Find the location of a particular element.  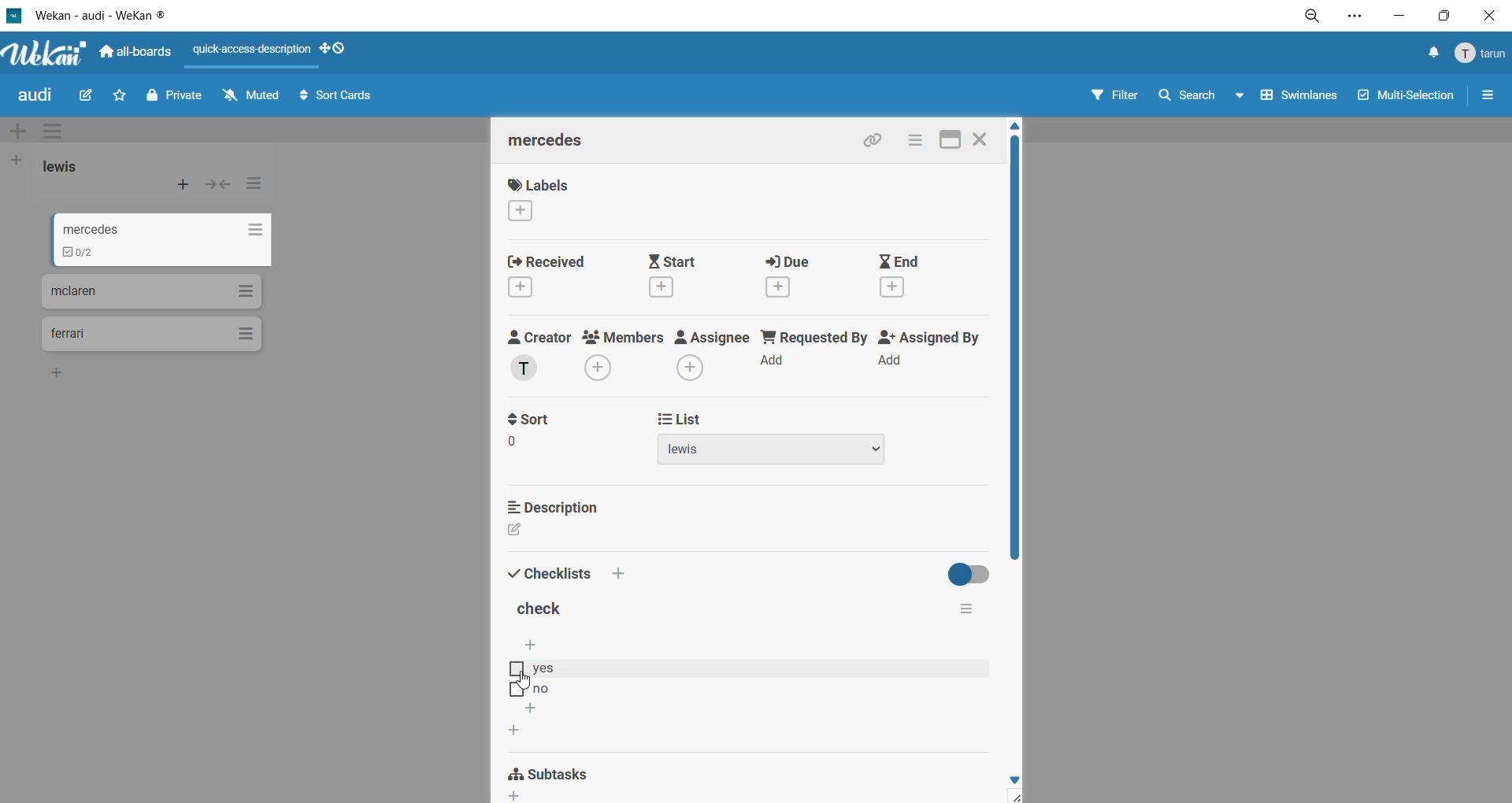

maximize is located at coordinates (950, 142).